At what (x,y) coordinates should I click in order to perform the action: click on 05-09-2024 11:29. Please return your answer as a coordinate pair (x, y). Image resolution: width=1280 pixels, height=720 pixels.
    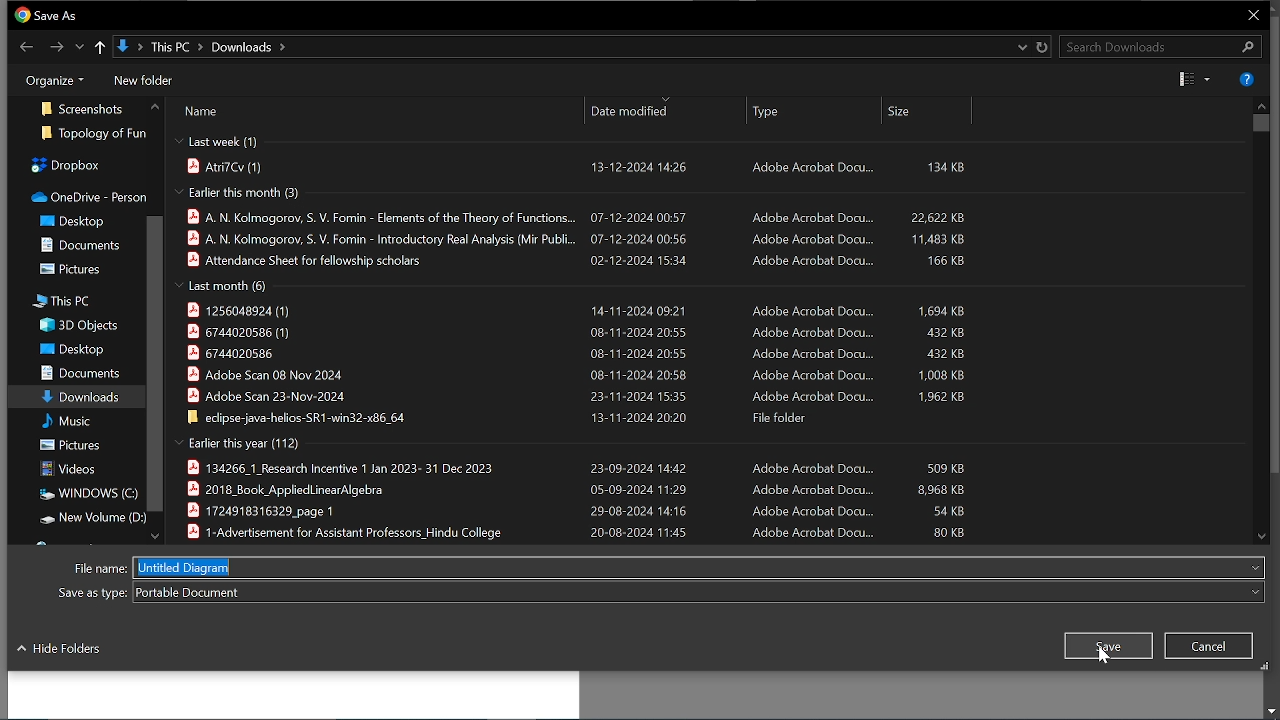
    Looking at the image, I should click on (633, 491).